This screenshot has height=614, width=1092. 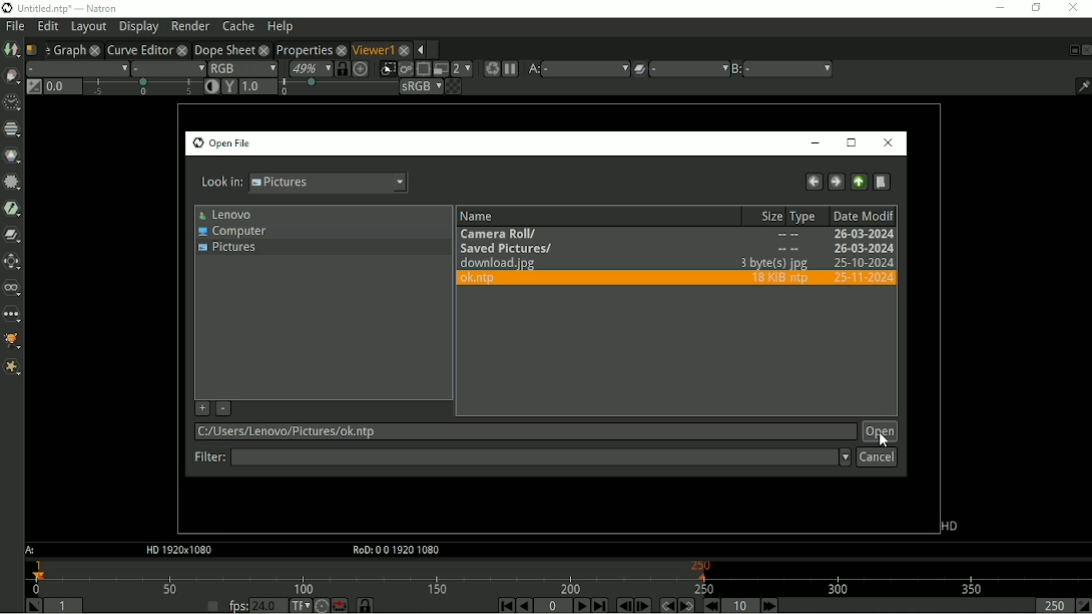 What do you see at coordinates (789, 69) in the screenshot?
I see `b menu` at bounding box center [789, 69].